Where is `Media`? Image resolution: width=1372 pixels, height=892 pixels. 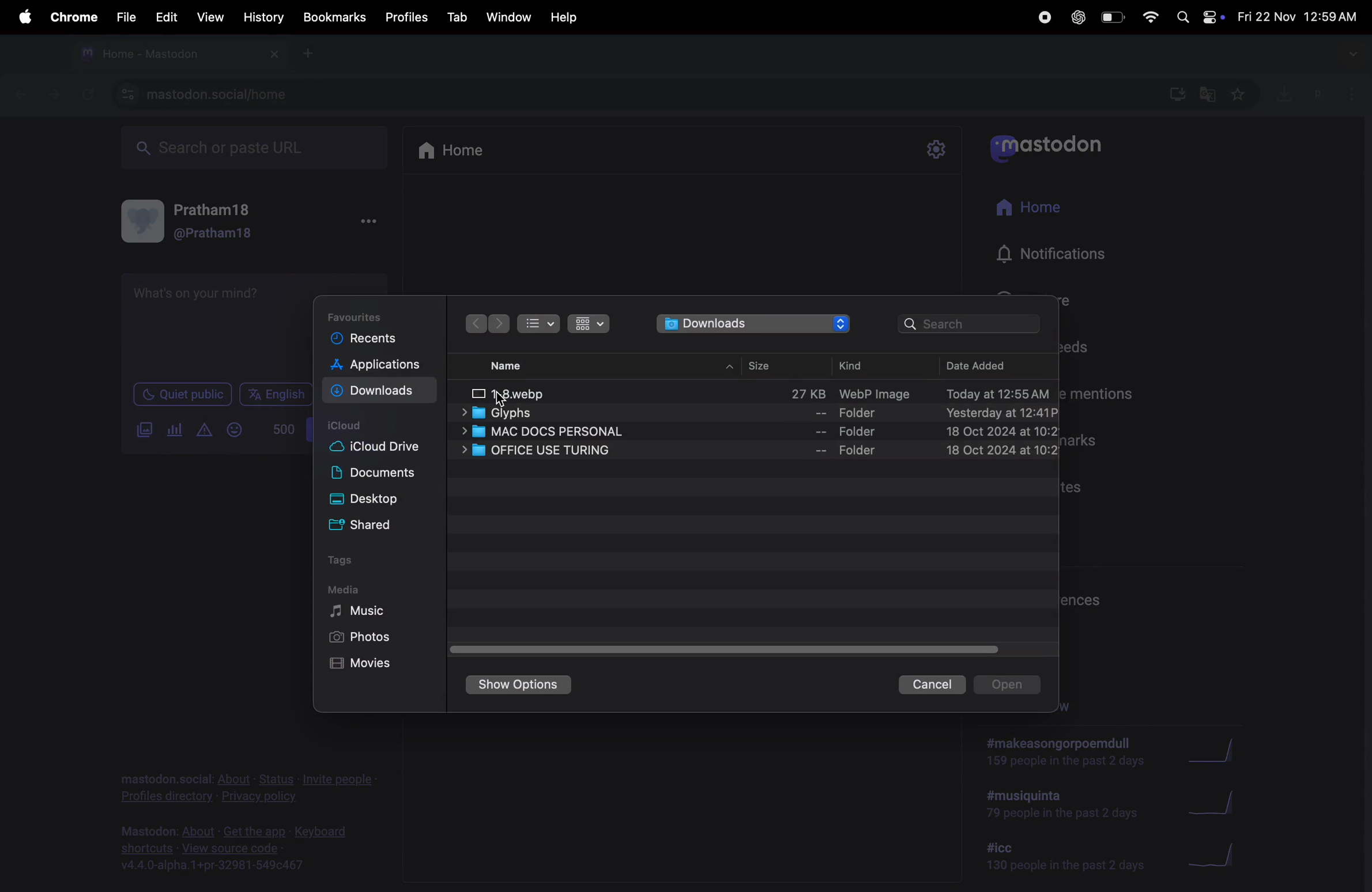
Media is located at coordinates (346, 591).